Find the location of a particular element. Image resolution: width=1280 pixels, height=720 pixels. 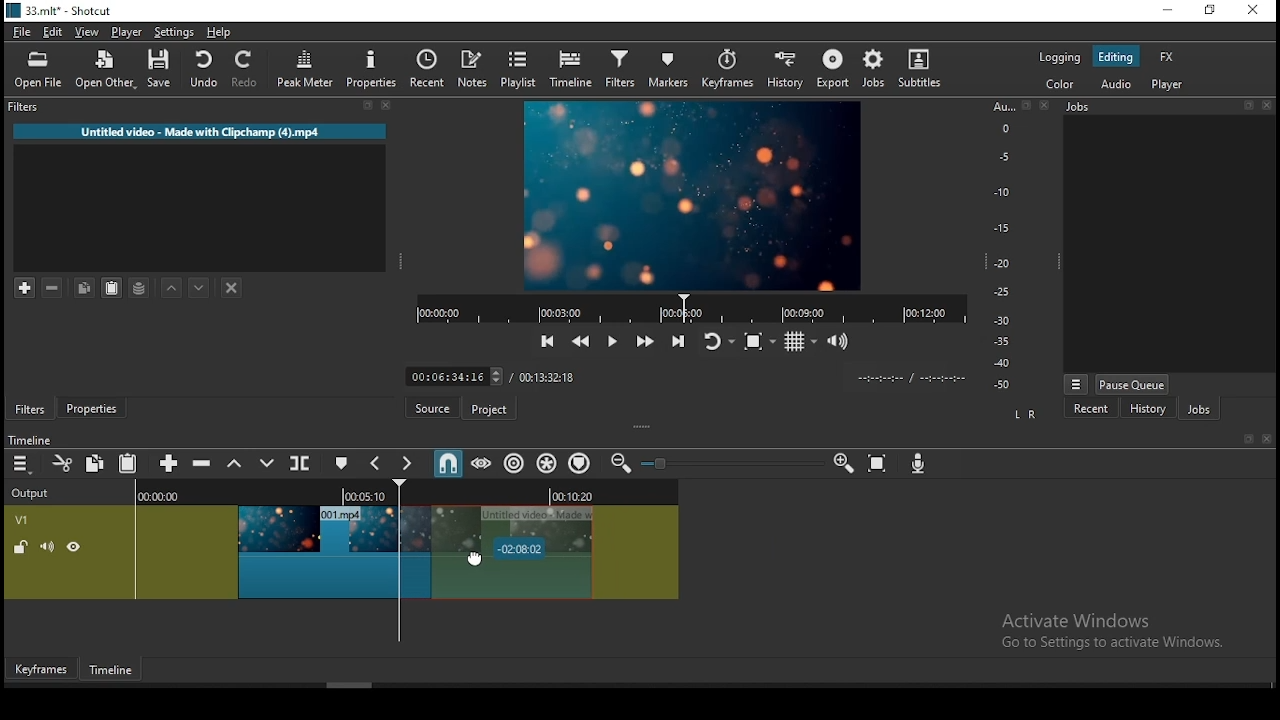

pause queue is located at coordinates (1131, 384).